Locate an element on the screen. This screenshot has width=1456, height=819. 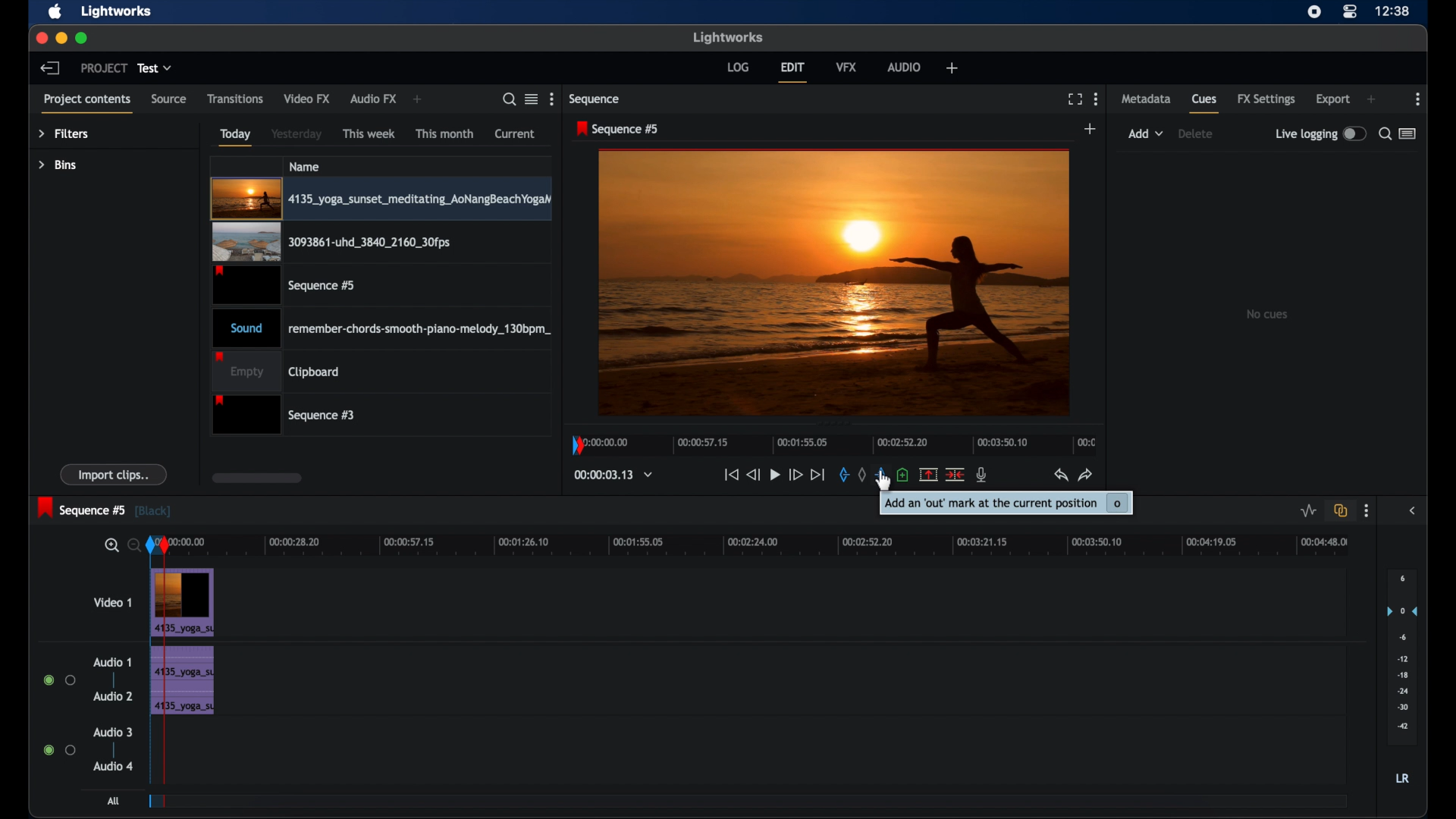
back is located at coordinates (52, 68).